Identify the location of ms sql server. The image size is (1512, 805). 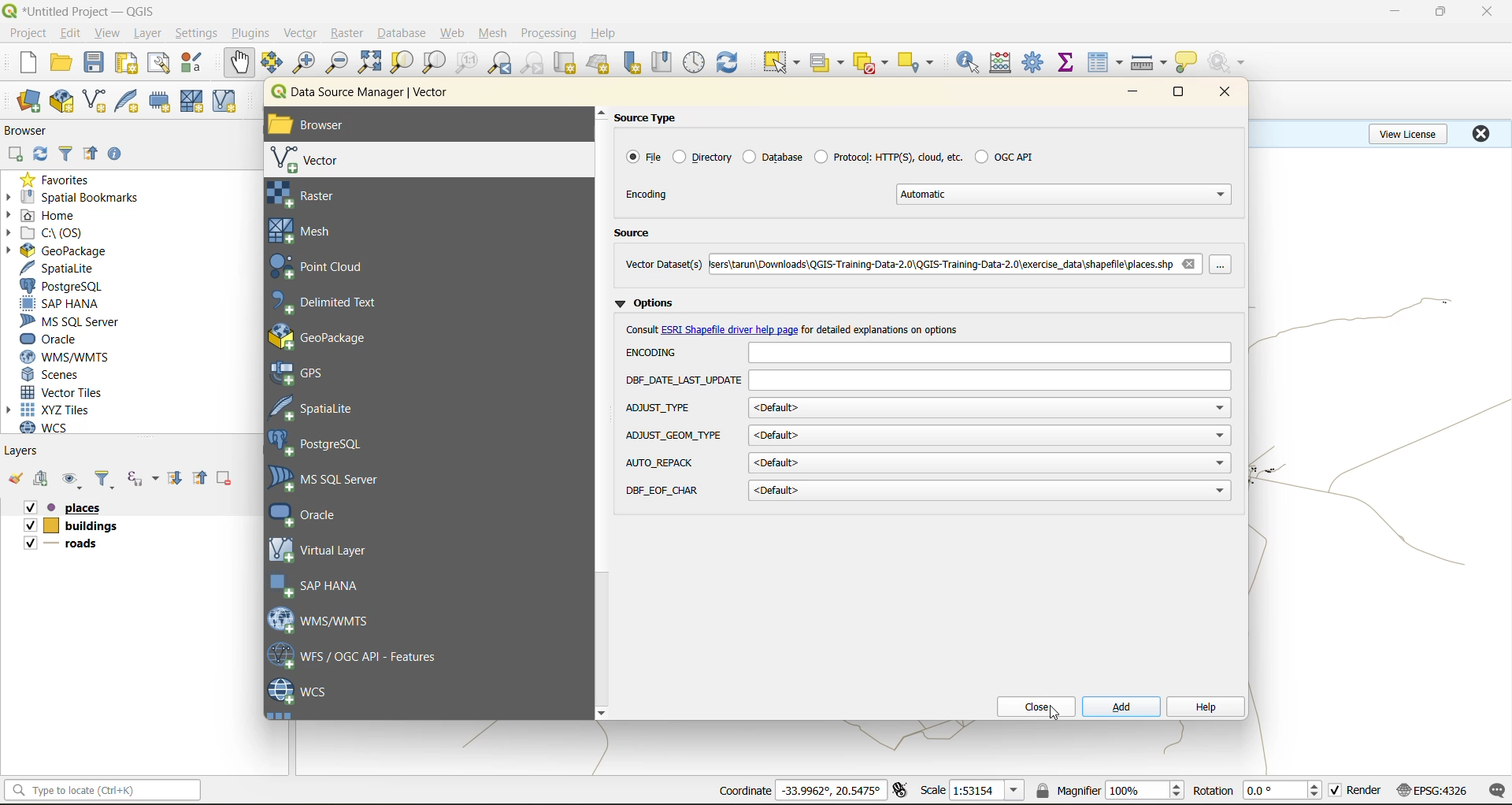
(76, 321).